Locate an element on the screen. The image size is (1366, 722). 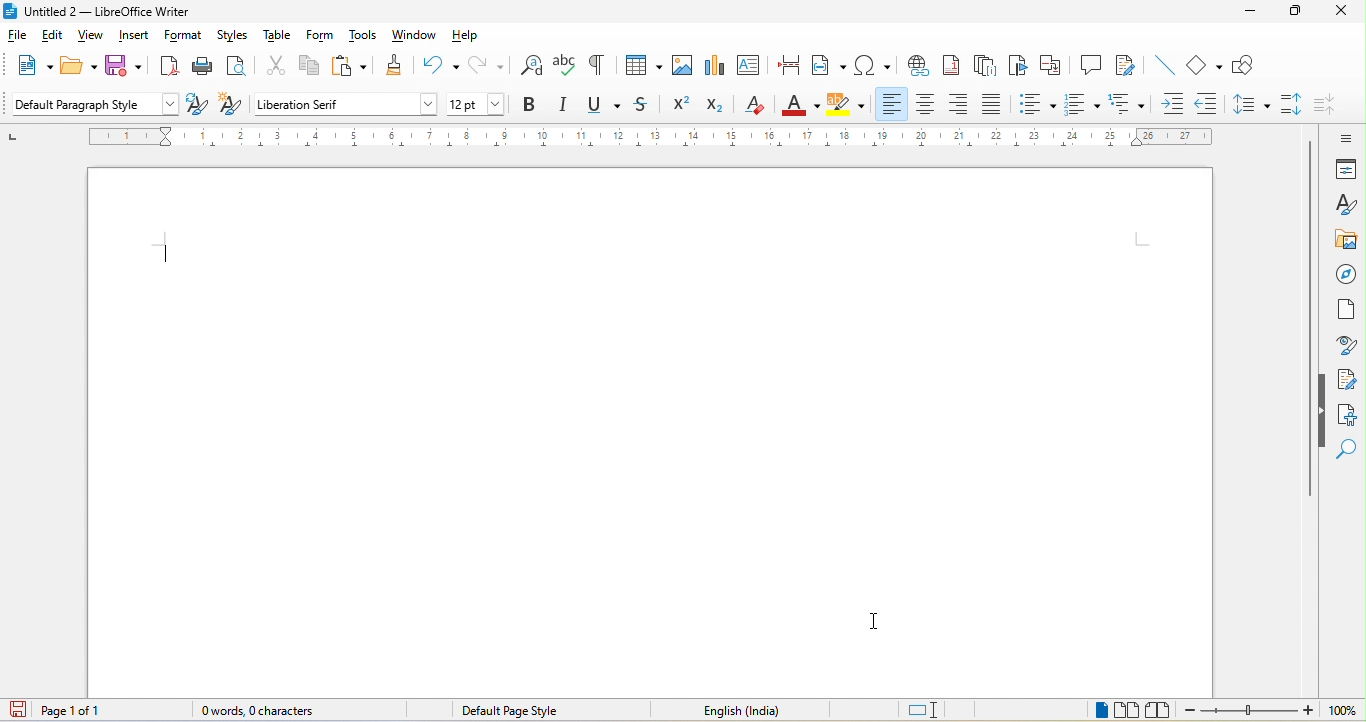
default page style is located at coordinates (522, 711).